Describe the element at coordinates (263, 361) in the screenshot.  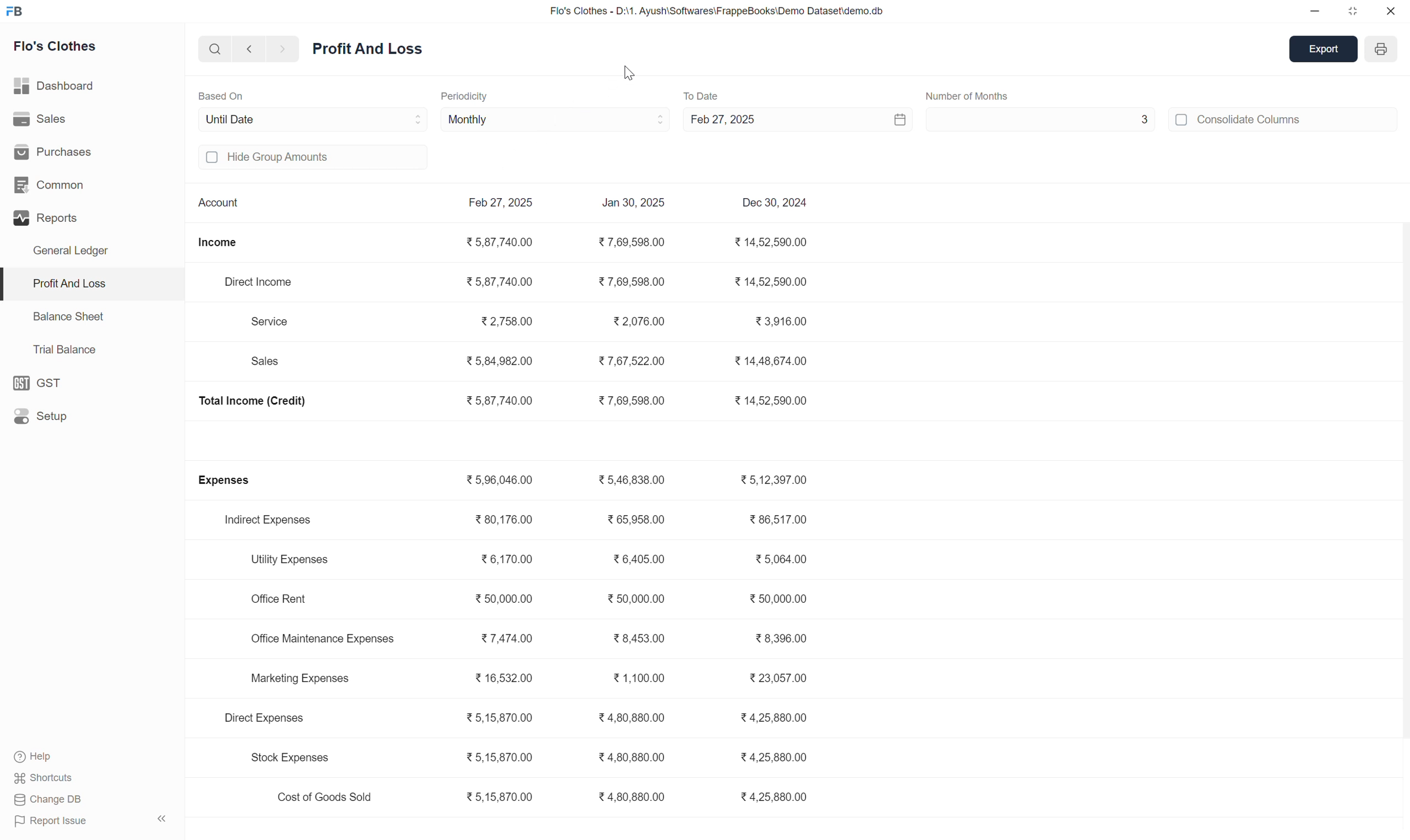
I see `Sales` at that location.